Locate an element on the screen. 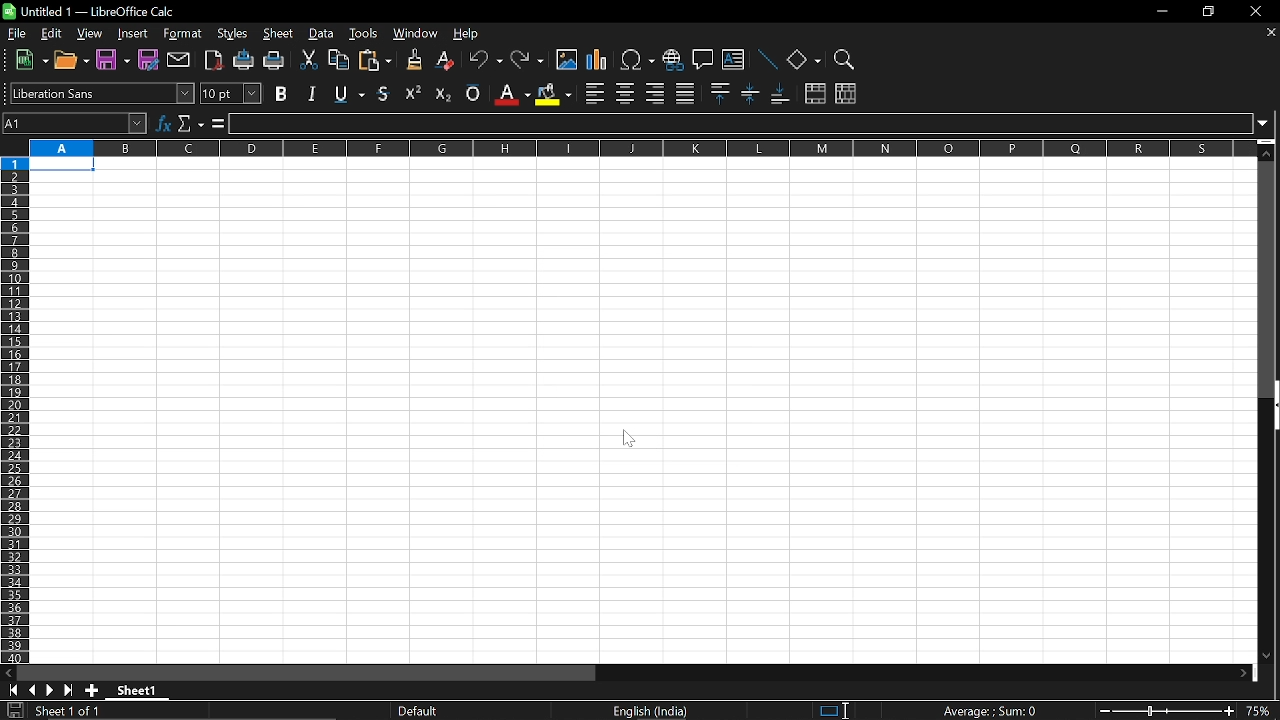  close is located at coordinates (1252, 13).